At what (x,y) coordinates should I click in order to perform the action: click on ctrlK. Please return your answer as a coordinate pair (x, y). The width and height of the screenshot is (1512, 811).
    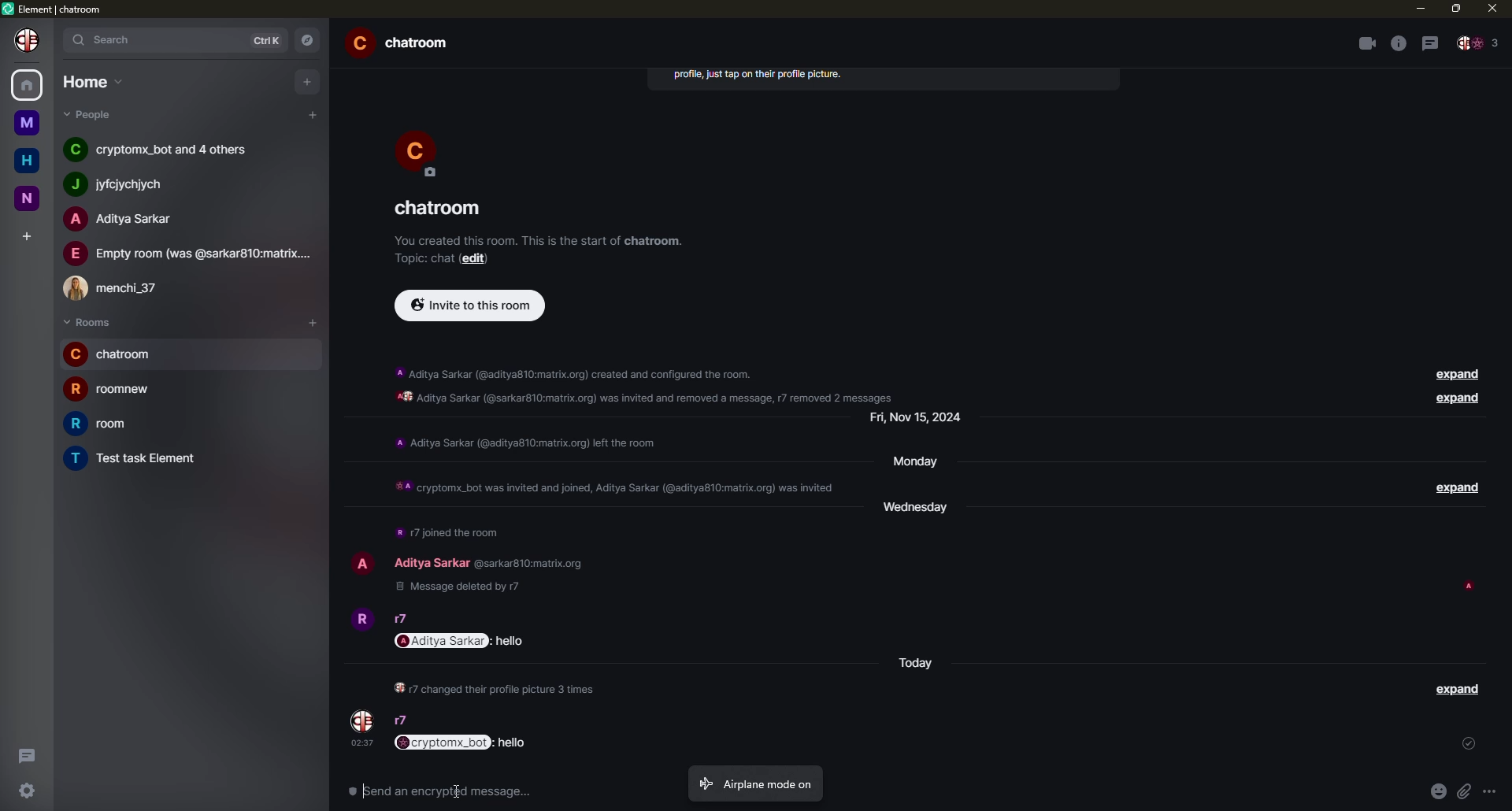
    Looking at the image, I should click on (270, 39).